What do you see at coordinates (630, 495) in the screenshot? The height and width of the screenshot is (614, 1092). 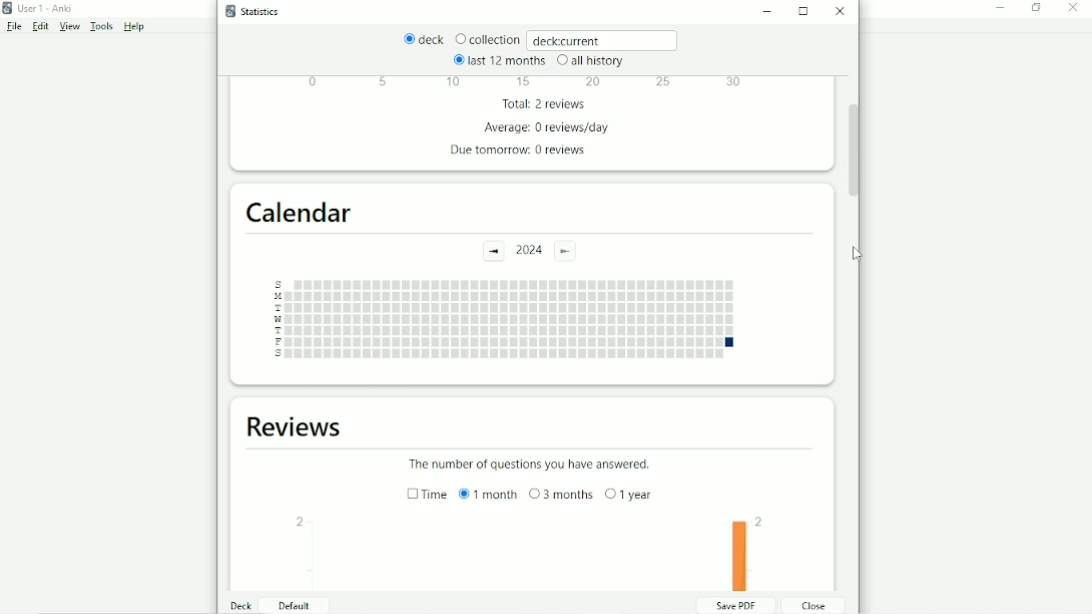 I see `1 year` at bounding box center [630, 495].